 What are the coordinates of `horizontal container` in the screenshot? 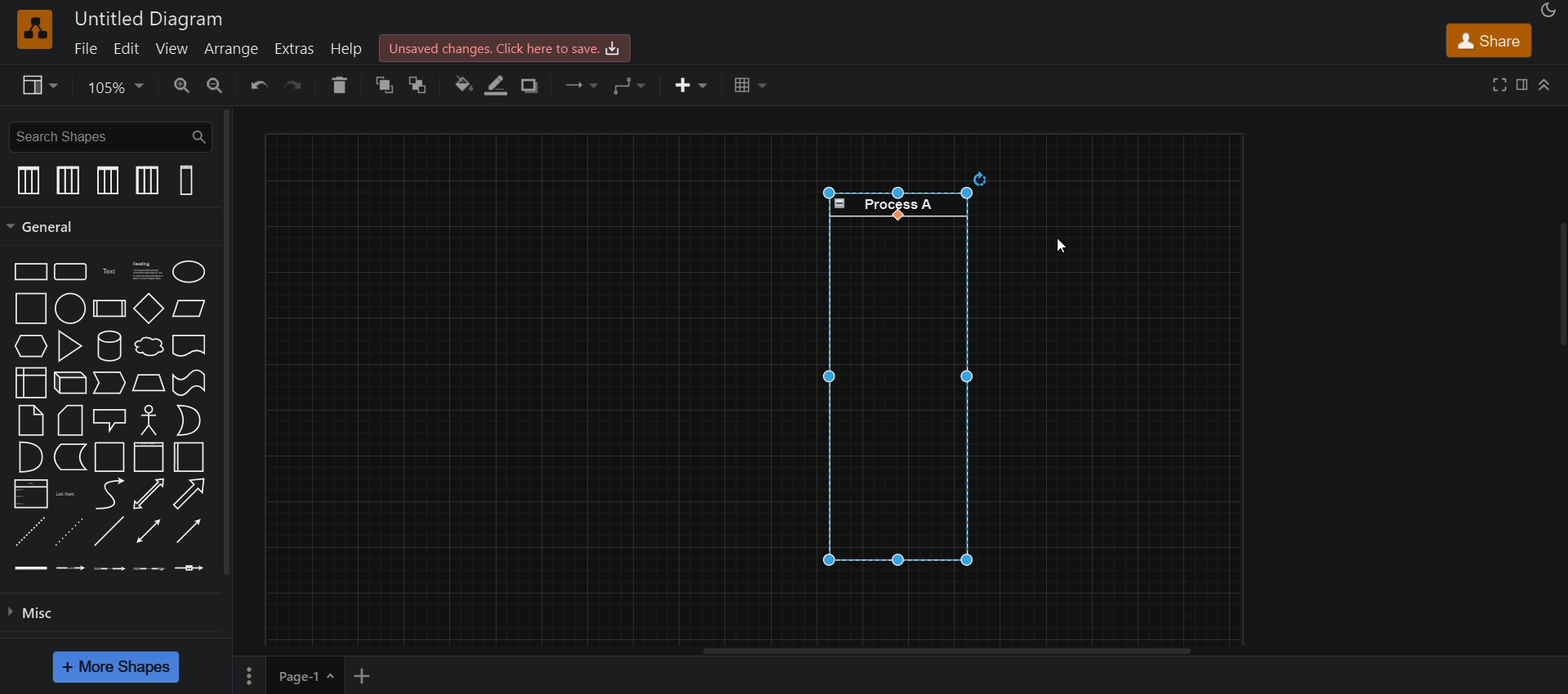 It's located at (145, 457).